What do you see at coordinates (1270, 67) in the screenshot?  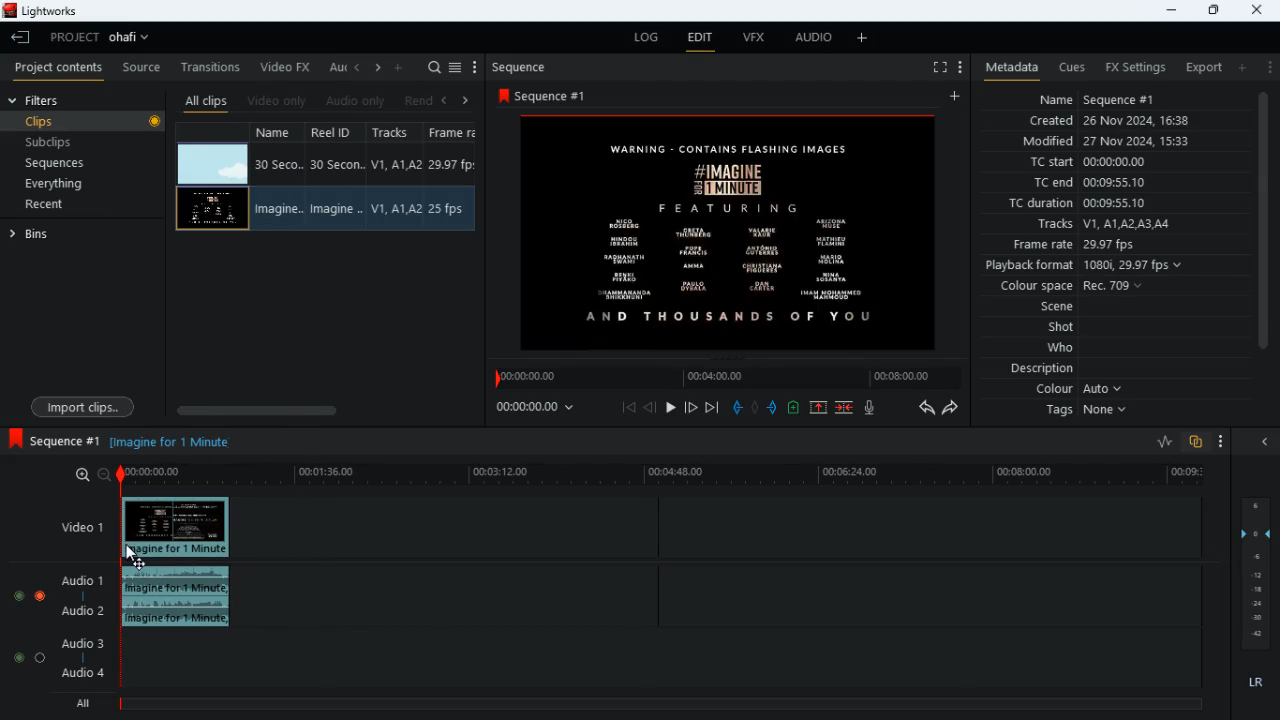 I see `more` at bounding box center [1270, 67].